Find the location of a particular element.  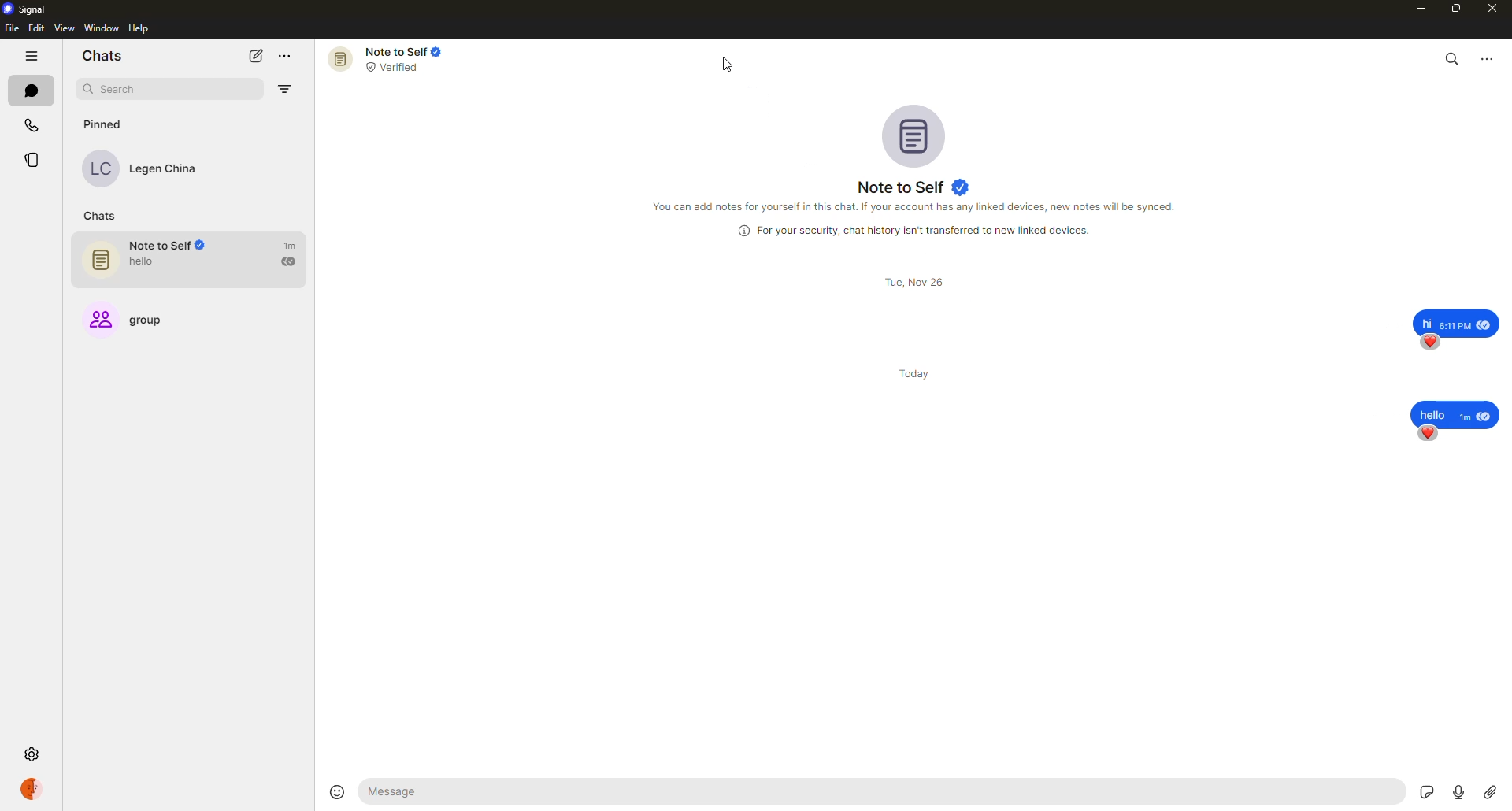

message is located at coordinates (1458, 320).